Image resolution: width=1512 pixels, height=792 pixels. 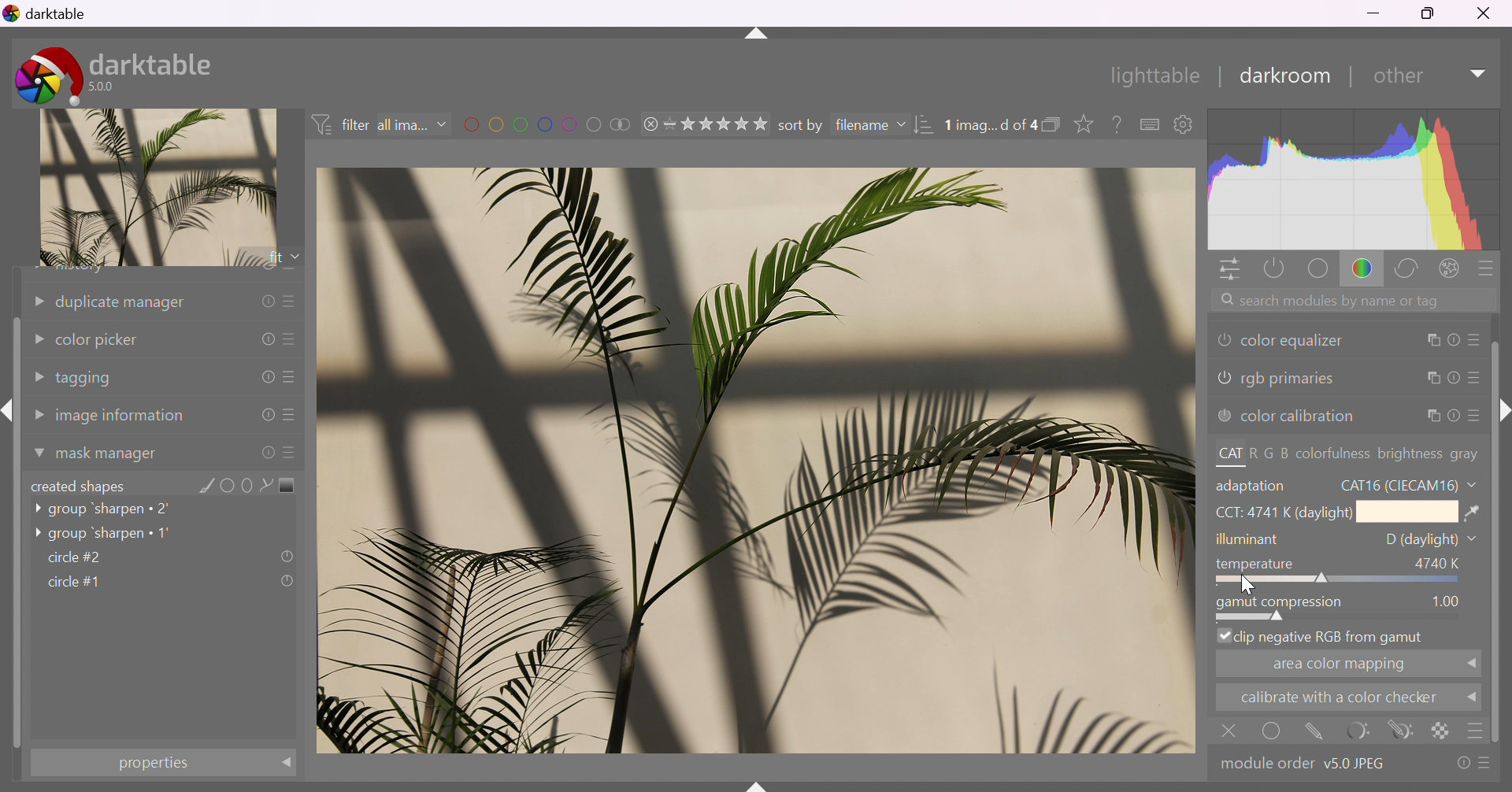 What do you see at coordinates (1490, 12) in the screenshot?
I see `close` at bounding box center [1490, 12].